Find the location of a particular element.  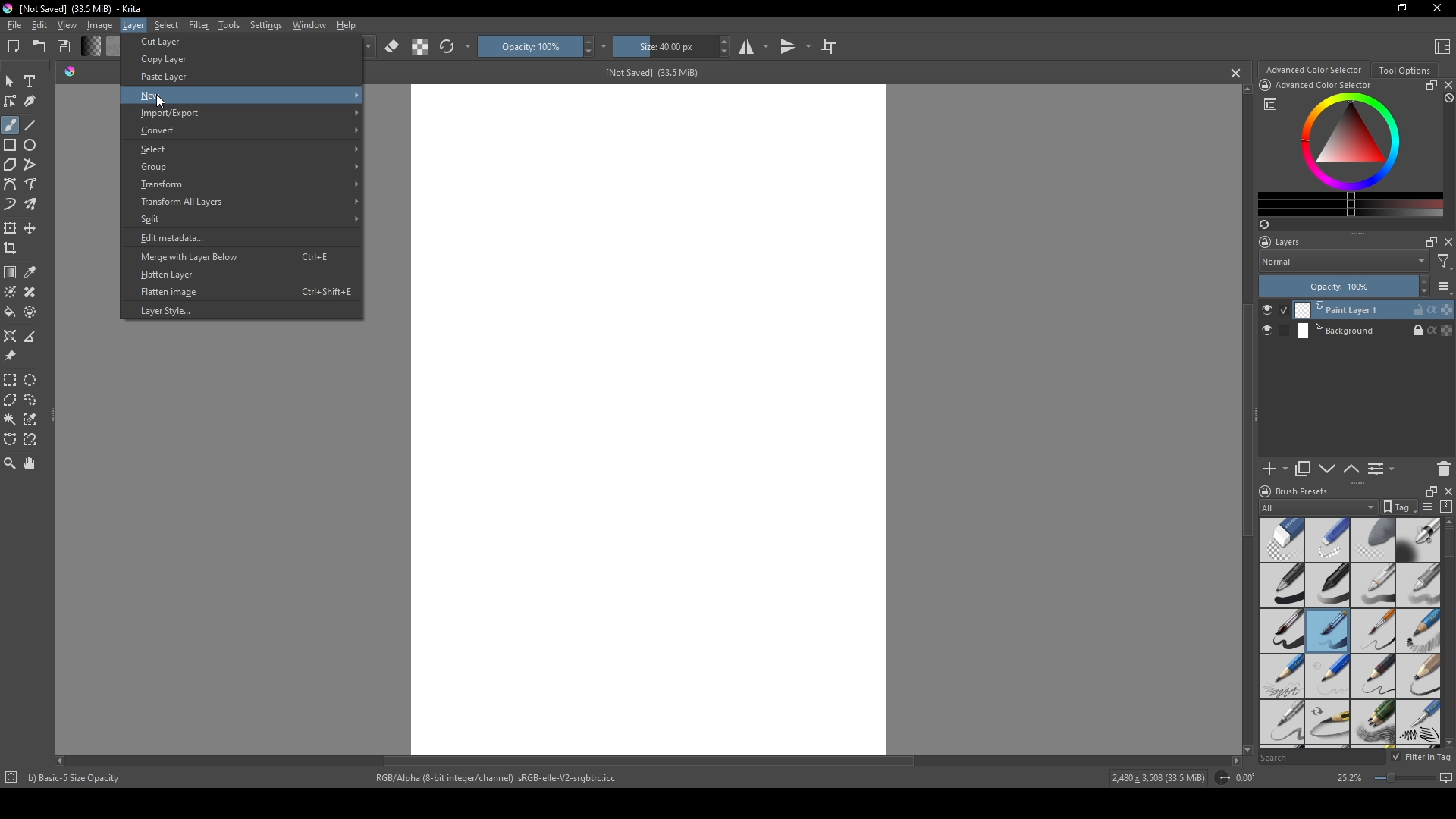

Content is located at coordinates (1442, 45).